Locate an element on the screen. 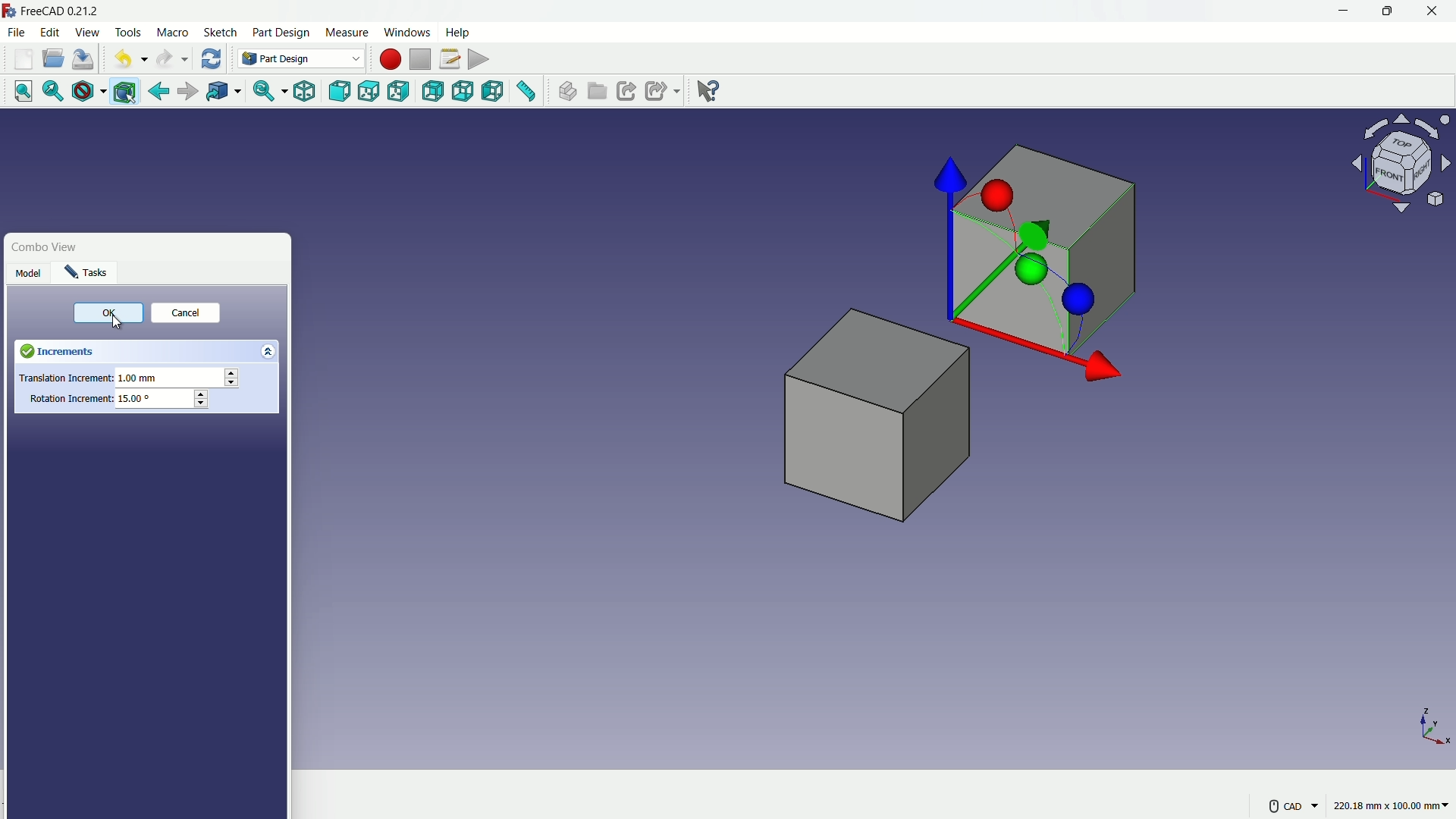  measure is located at coordinates (346, 33).